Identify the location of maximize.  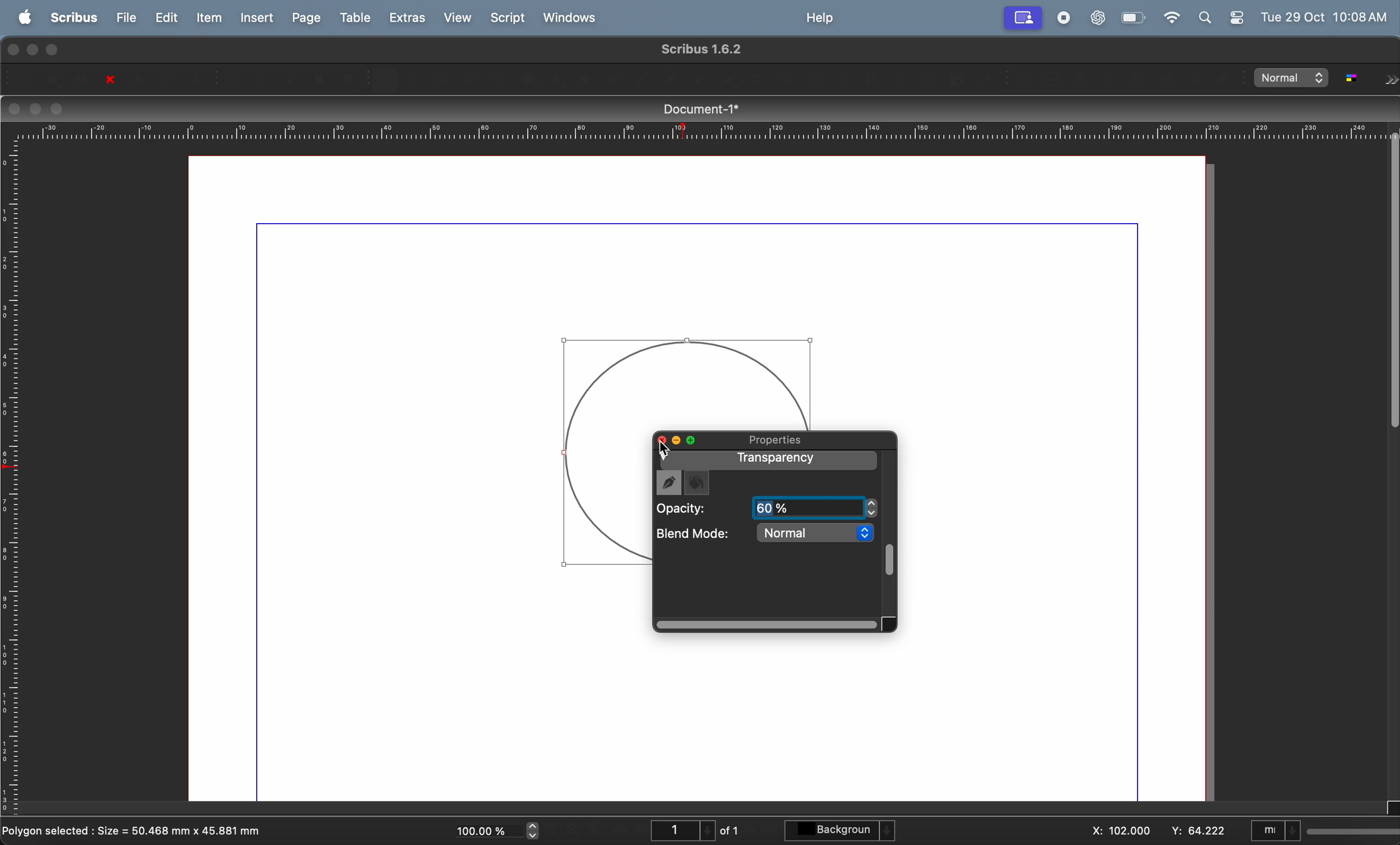
(58, 108).